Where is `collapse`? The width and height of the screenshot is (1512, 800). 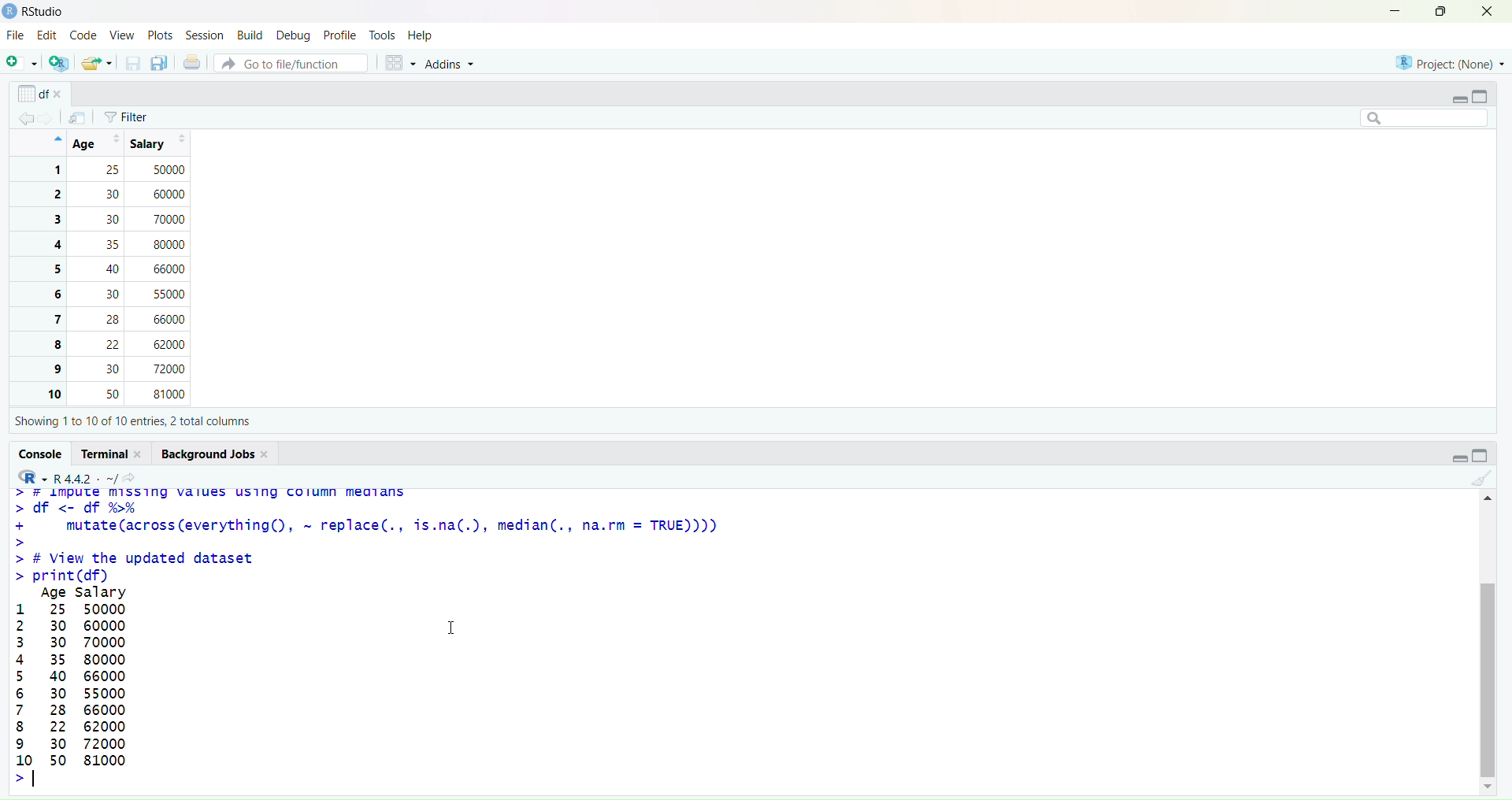 collapse is located at coordinates (1486, 457).